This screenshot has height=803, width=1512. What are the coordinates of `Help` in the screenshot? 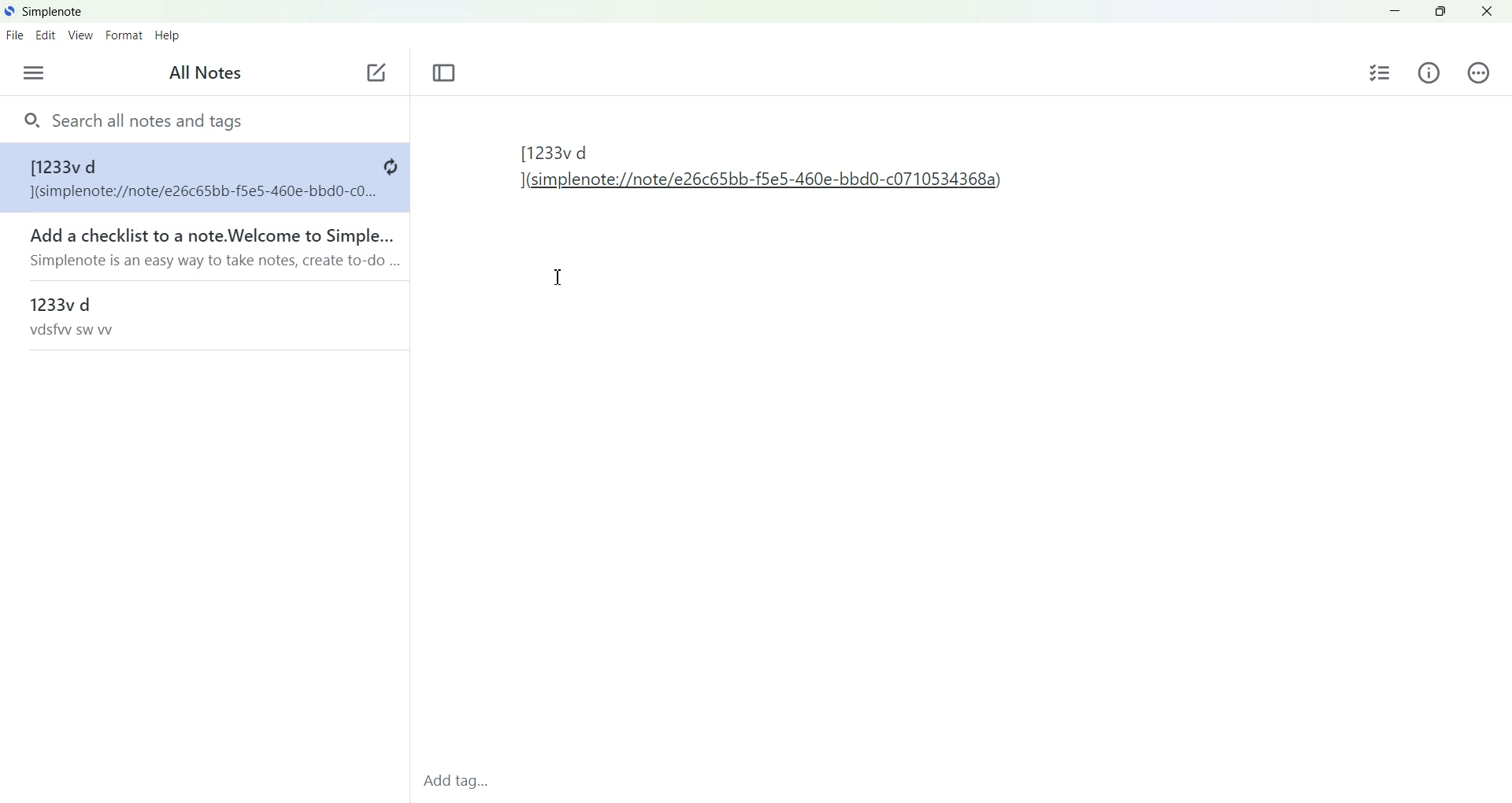 It's located at (170, 36).